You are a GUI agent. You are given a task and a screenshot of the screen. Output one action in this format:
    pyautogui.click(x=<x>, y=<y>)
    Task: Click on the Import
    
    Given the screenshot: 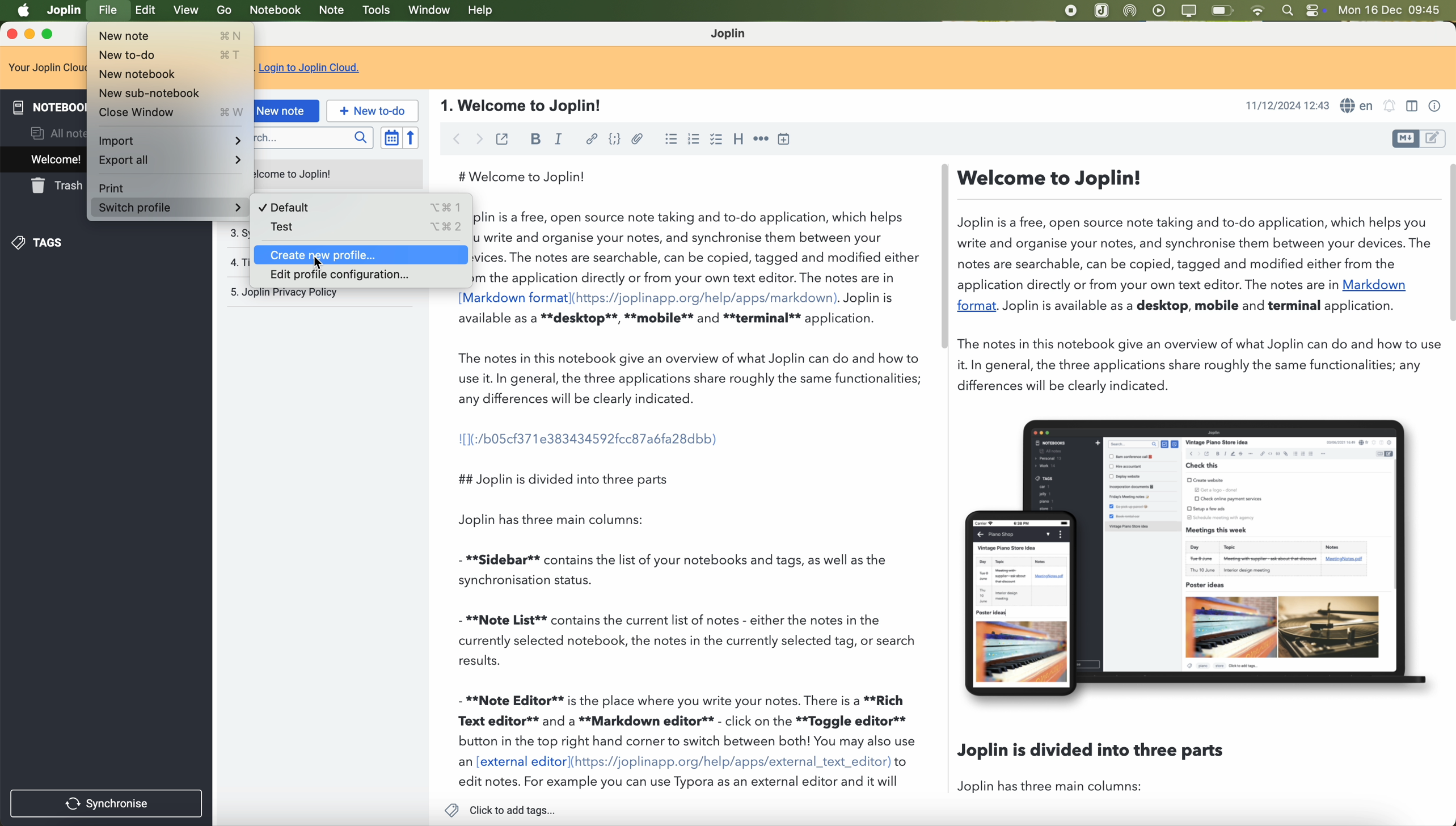 What is the action you would take?
    pyautogui.click(x=171, y=139)
    